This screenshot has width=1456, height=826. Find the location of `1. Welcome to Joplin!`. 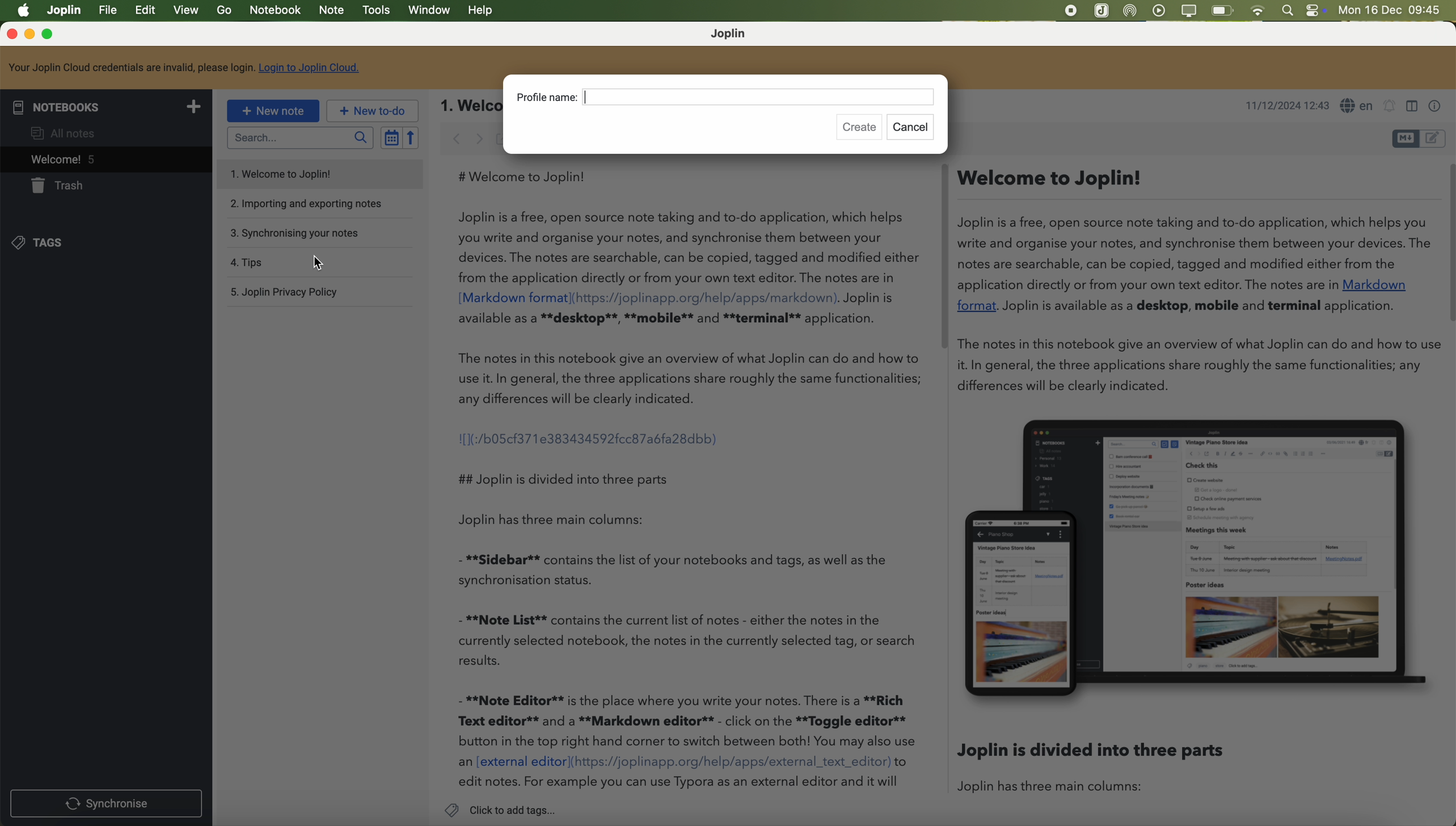

1. Welcome to Joplin! is located at coordinates (291, 175).